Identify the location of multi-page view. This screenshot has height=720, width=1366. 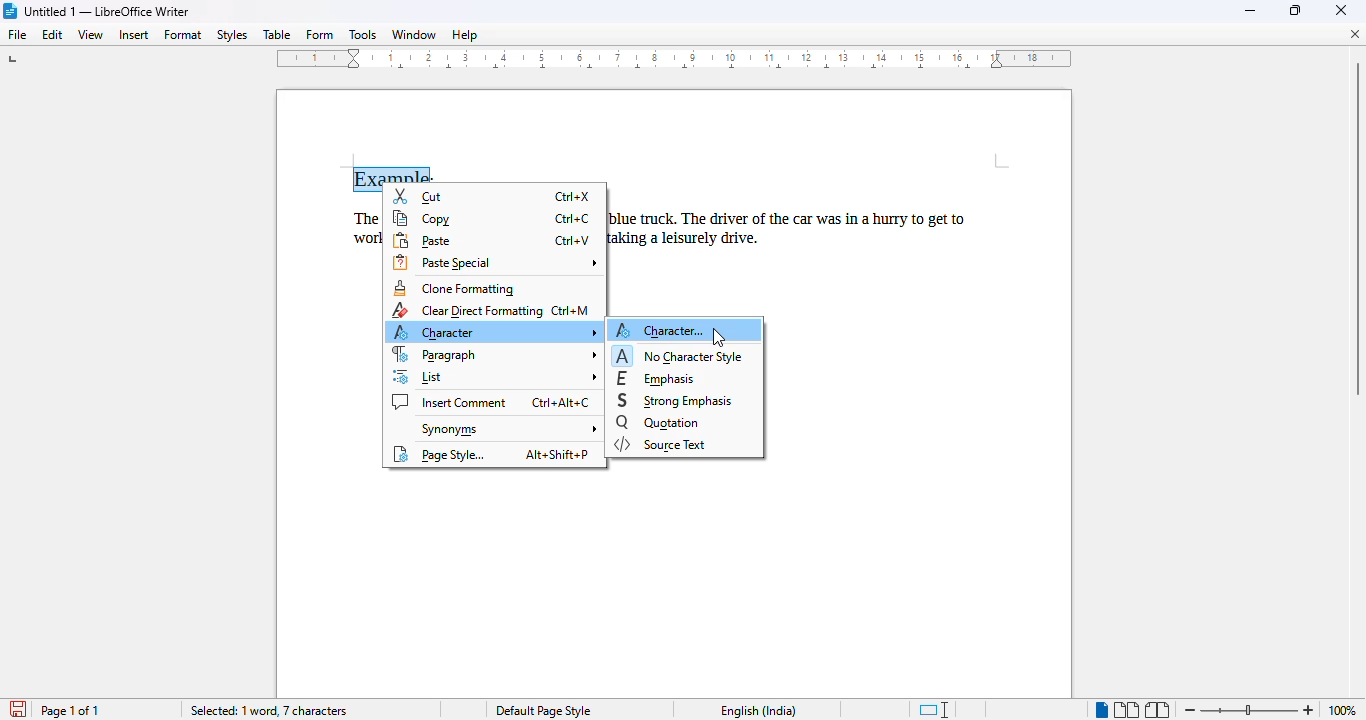
(1126, 710).